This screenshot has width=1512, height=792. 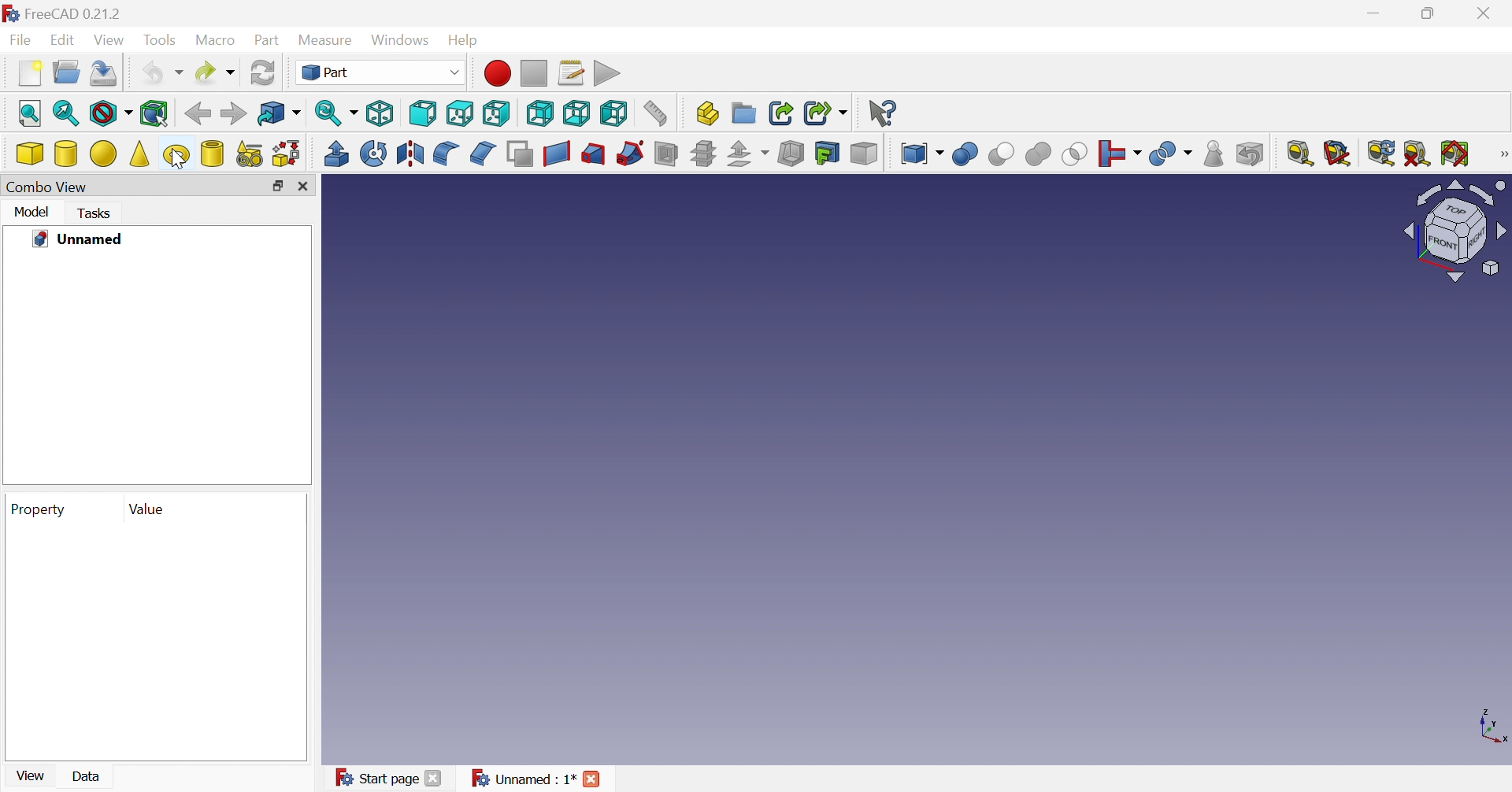 What do you see at coordinates (249, 154) in the screenshot?
I see `Create primitives...` at bounding box center [249, 154].